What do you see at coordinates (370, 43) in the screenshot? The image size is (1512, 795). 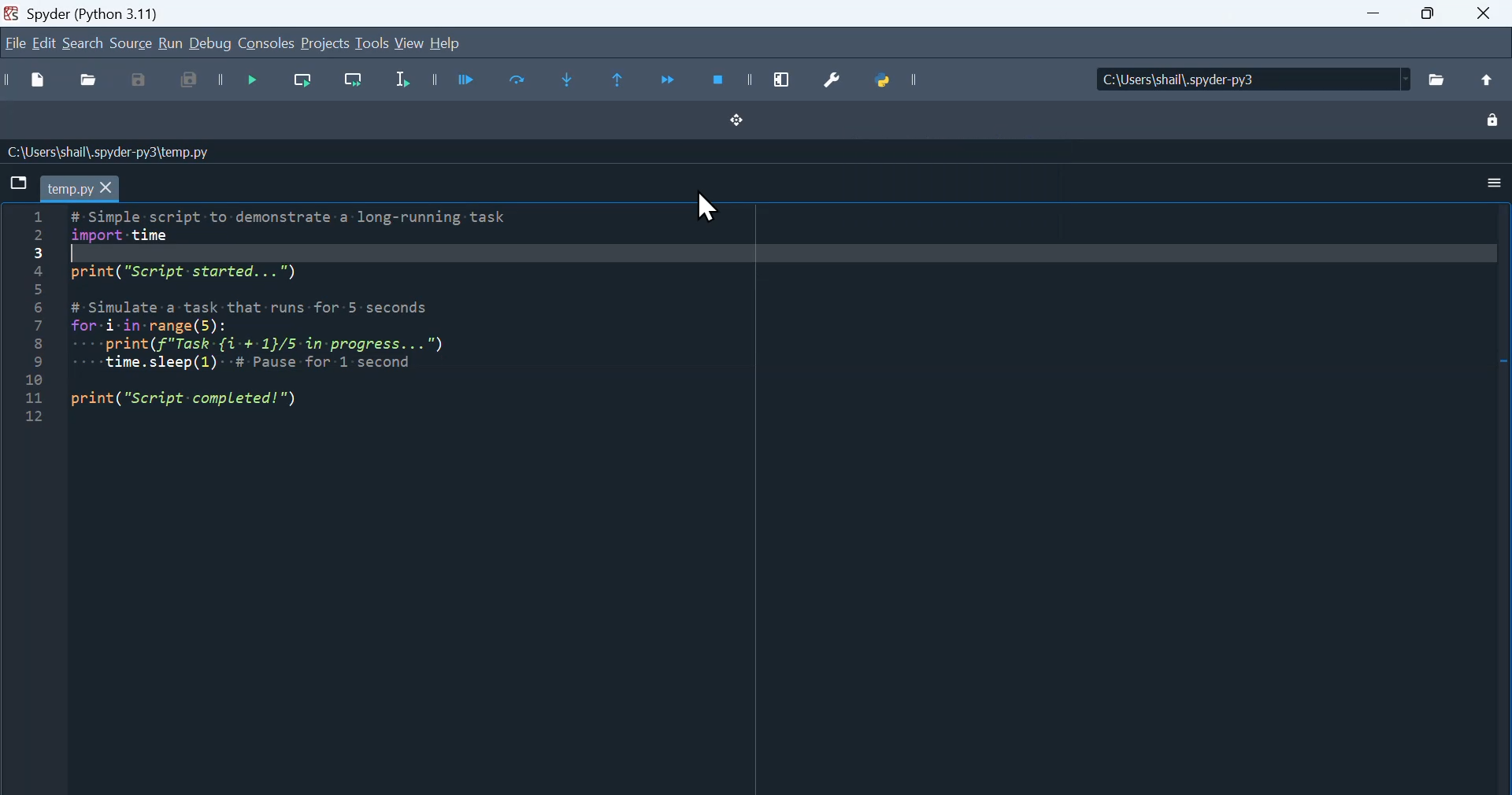 I see `Tools` at bounding box center [370, 43].